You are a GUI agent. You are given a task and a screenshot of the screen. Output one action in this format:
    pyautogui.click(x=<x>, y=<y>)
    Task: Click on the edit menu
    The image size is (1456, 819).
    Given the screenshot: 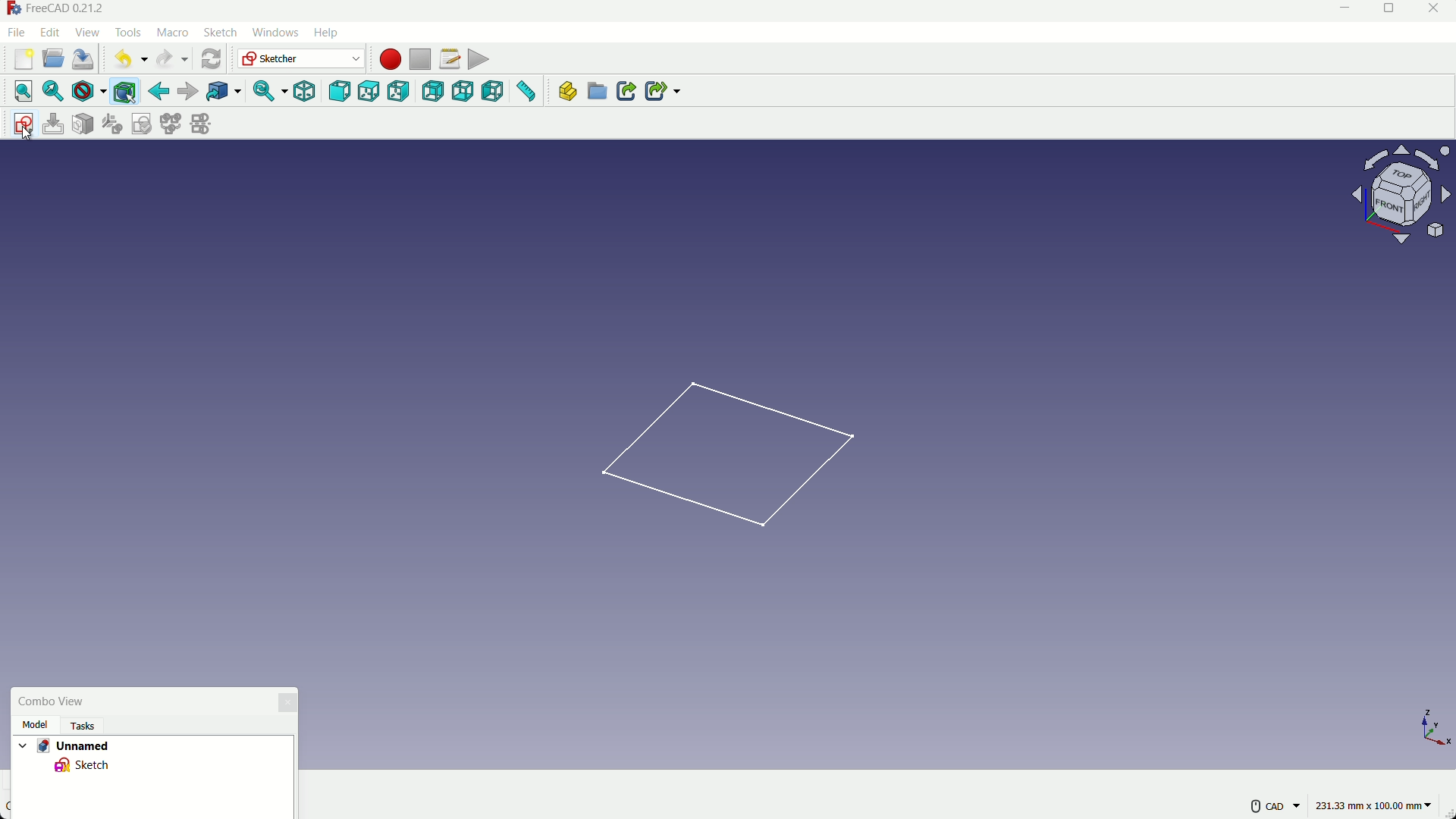 What is the action you would take?
    pyautogui.click(x=51, y=31)
    